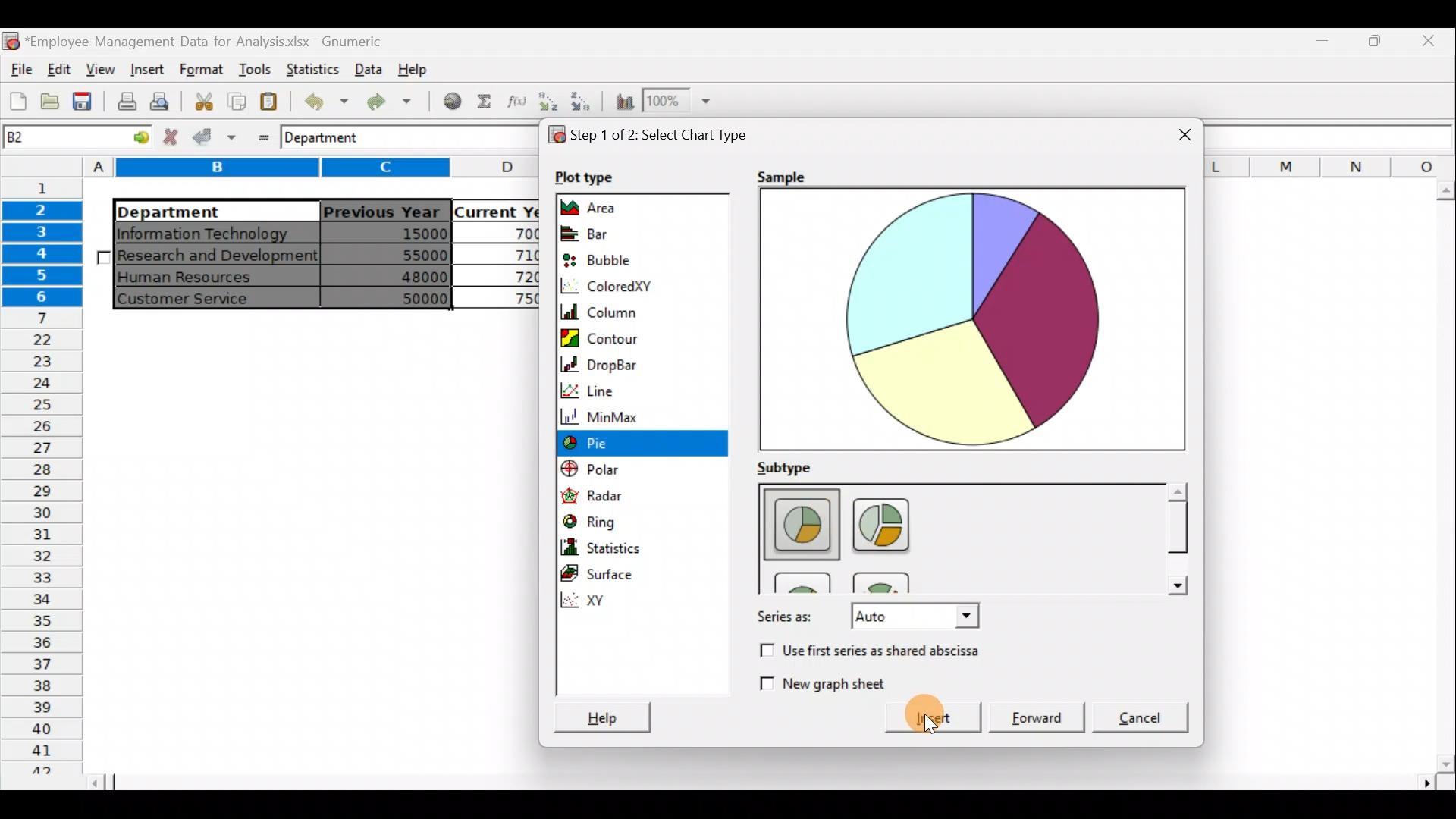 The image size is (1456, 819). Describe the element at coordinates (645, 416) in the screenshot. I see `MinMax` at that location.